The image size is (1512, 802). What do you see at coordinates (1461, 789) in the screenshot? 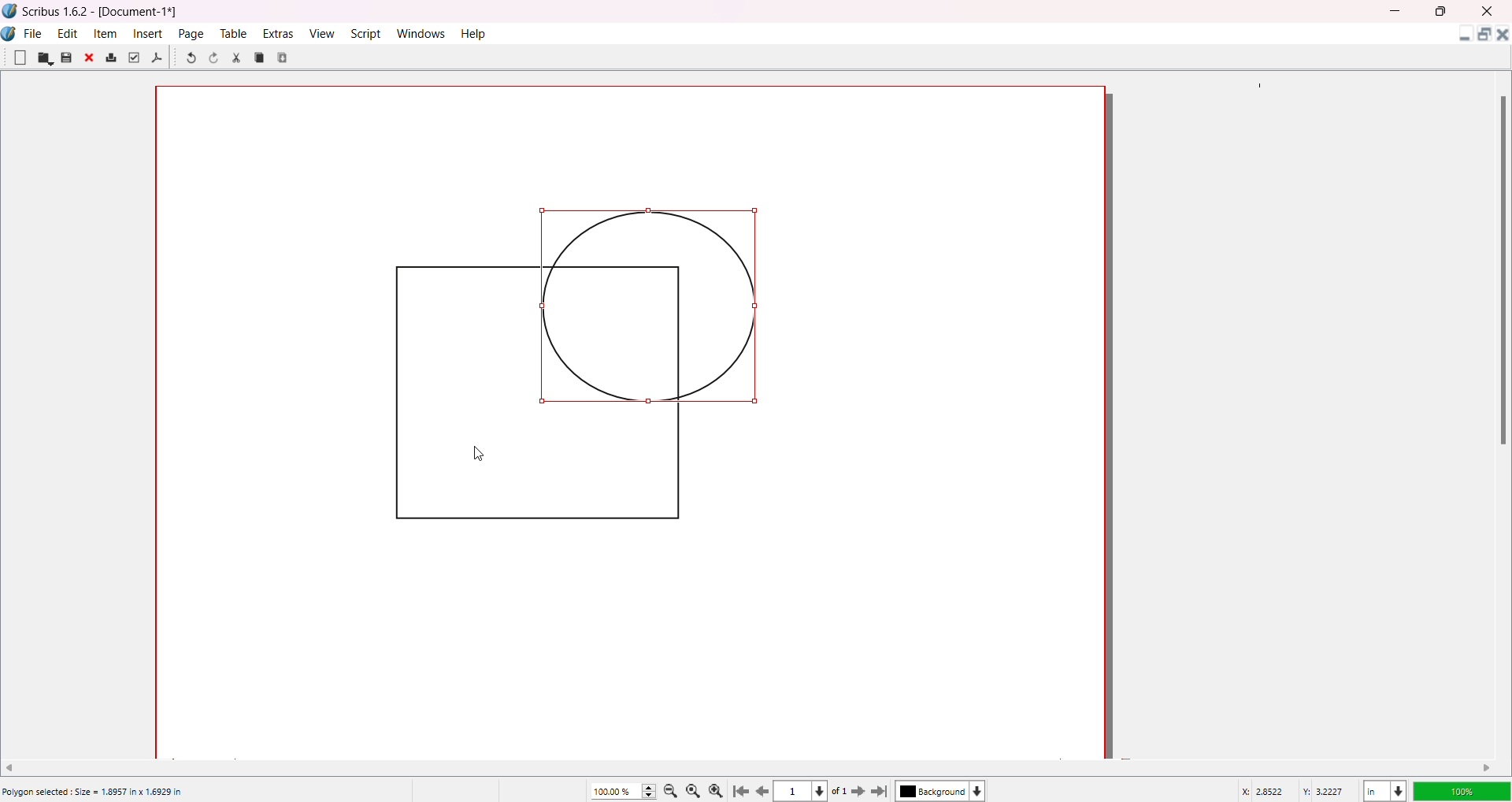
I see `Opacity` at bounding box center [1461, 789].